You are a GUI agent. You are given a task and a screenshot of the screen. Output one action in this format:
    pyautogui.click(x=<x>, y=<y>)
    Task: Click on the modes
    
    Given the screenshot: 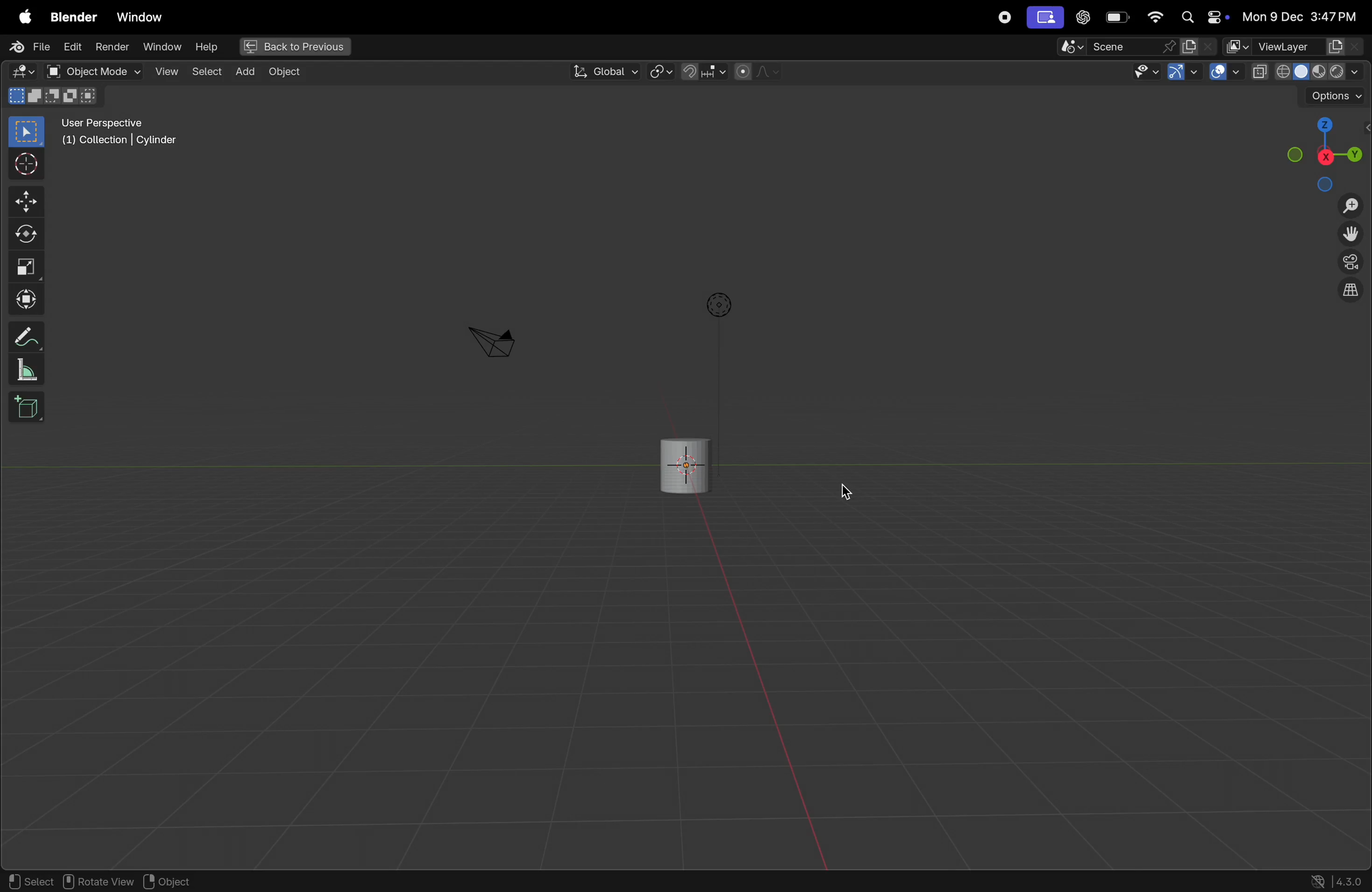 What is the action you would take?
    pyautogui.click(x=56, y=97)
    